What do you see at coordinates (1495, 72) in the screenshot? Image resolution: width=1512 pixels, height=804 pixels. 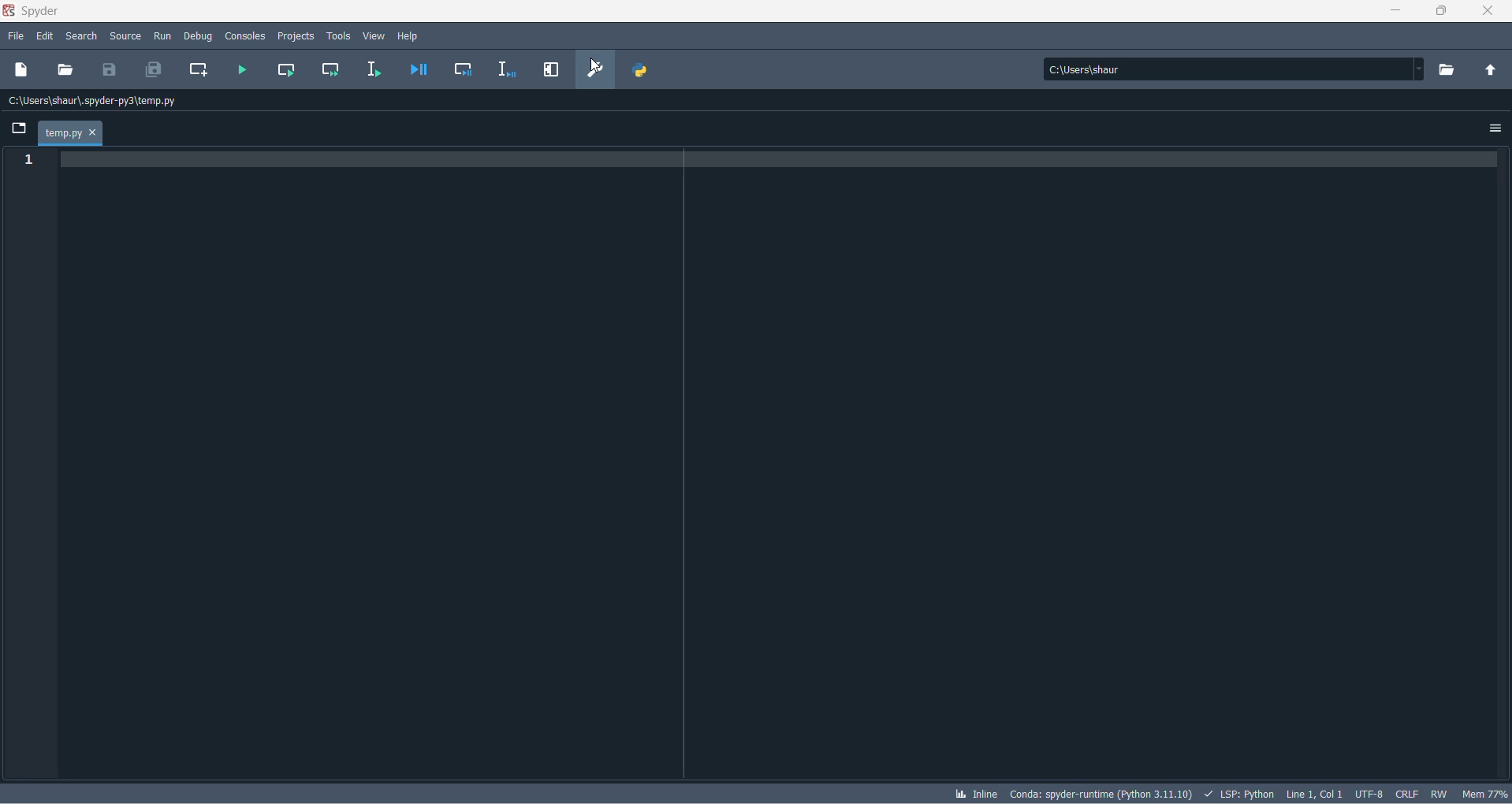 I see `parent directory` at bounding box center [1495, 72].